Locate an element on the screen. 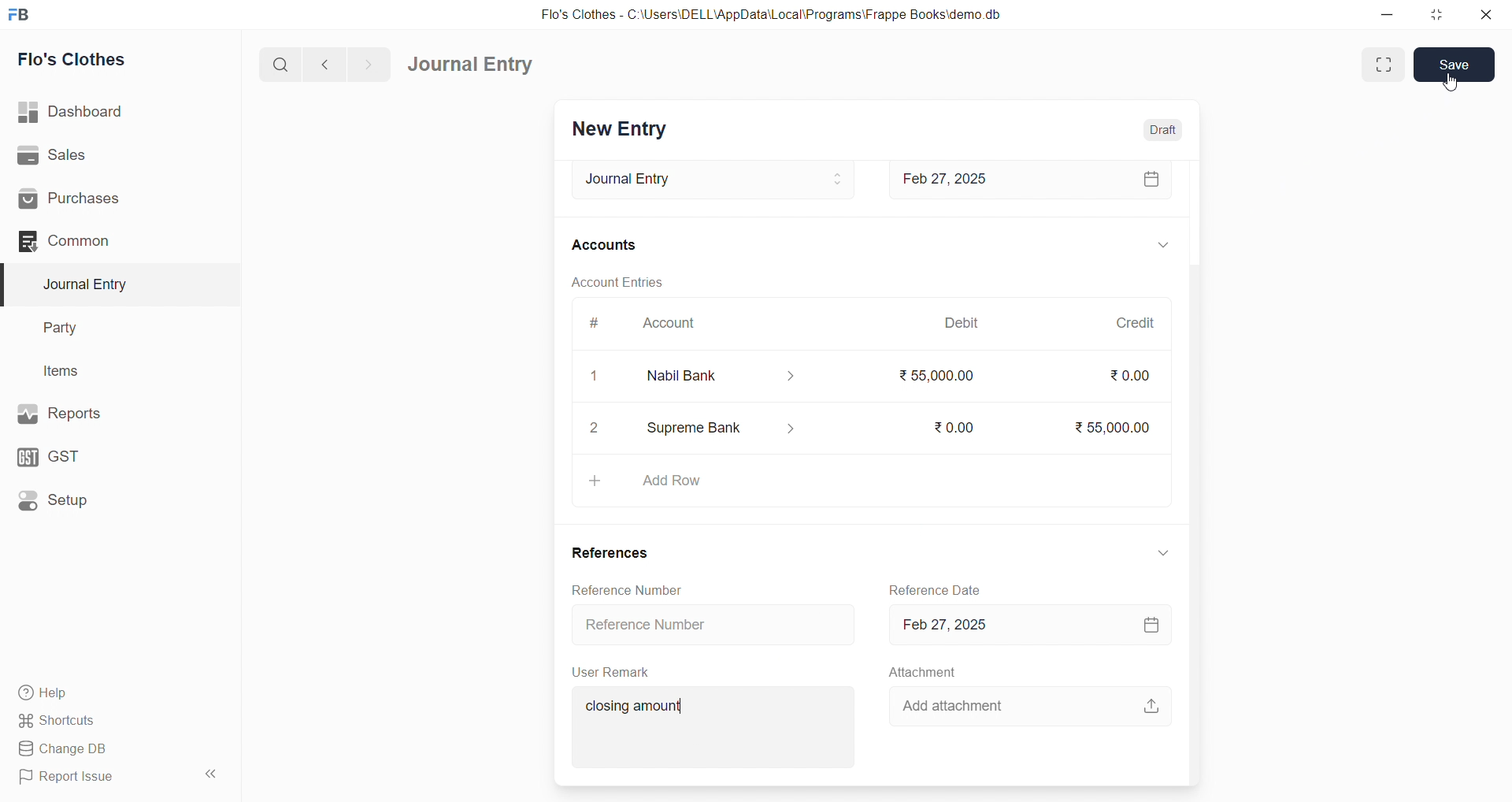 This screenshot has width=1512, height=802. Change DB is located at coordinates (98, 748).